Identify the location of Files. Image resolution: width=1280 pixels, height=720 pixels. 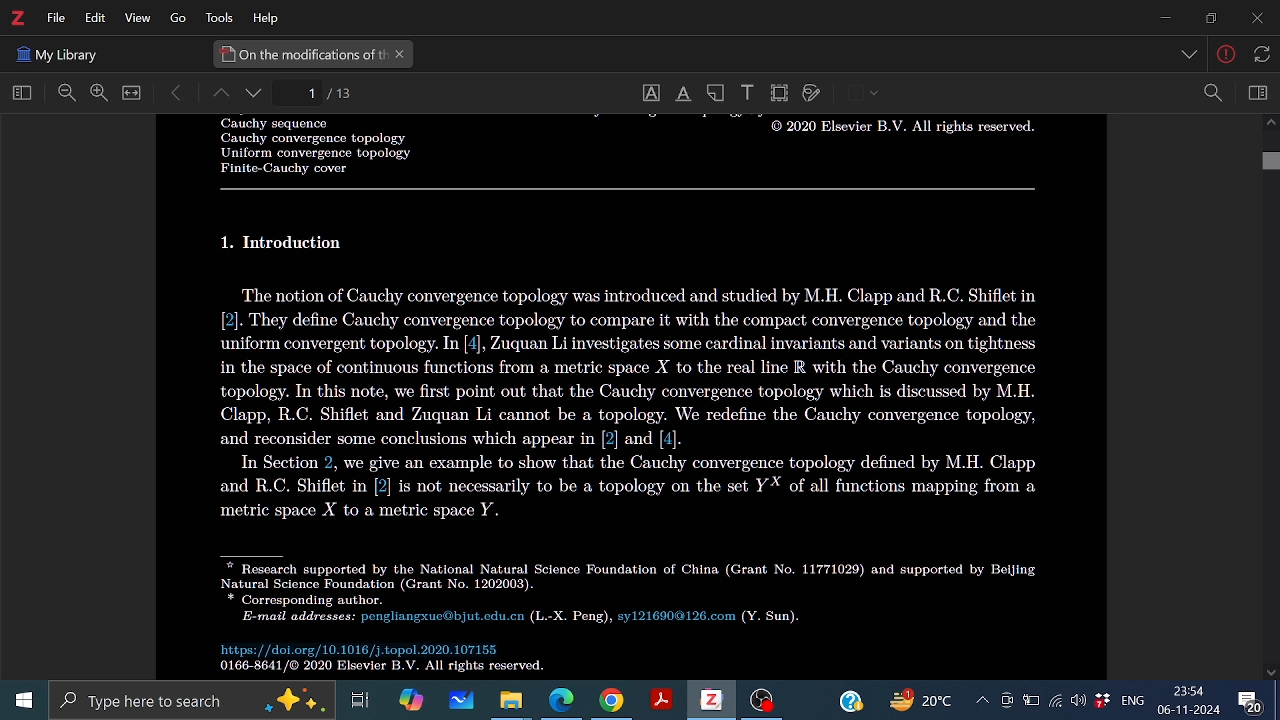
(512, 700).